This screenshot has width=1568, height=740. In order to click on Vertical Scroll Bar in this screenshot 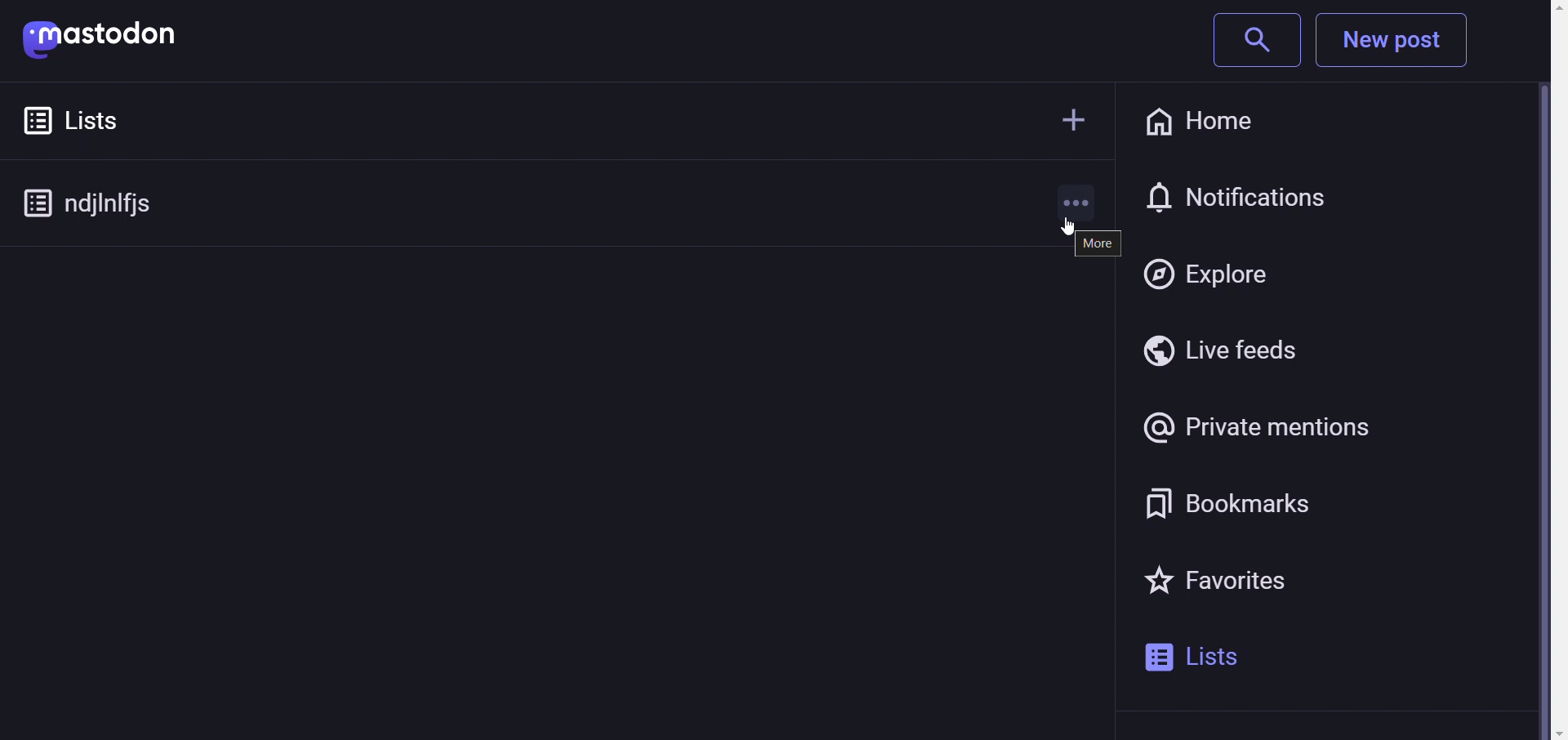, I will do `click(1544, 372)`.